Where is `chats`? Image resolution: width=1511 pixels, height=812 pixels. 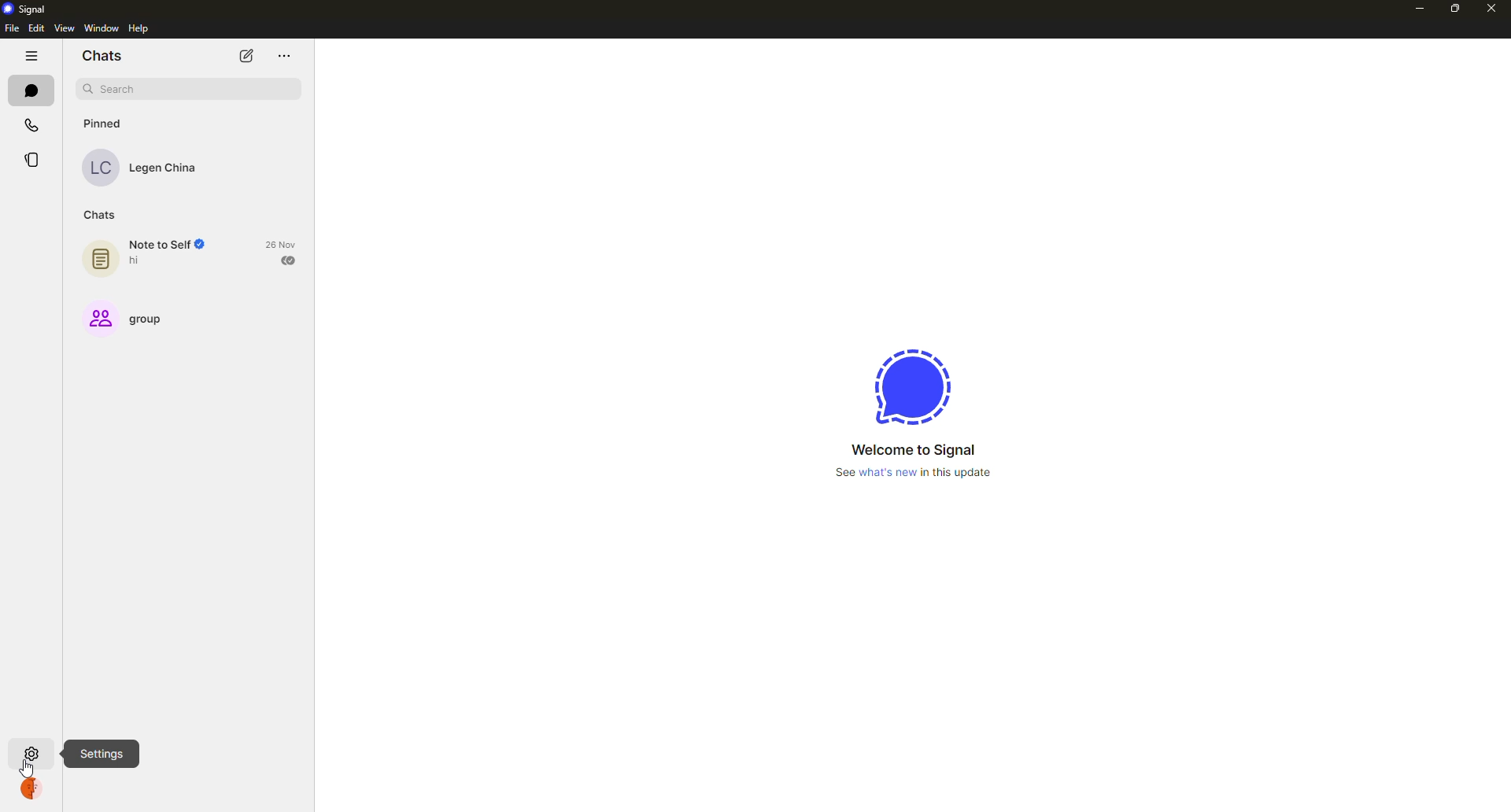 chats is located at coordinates (102, 215).